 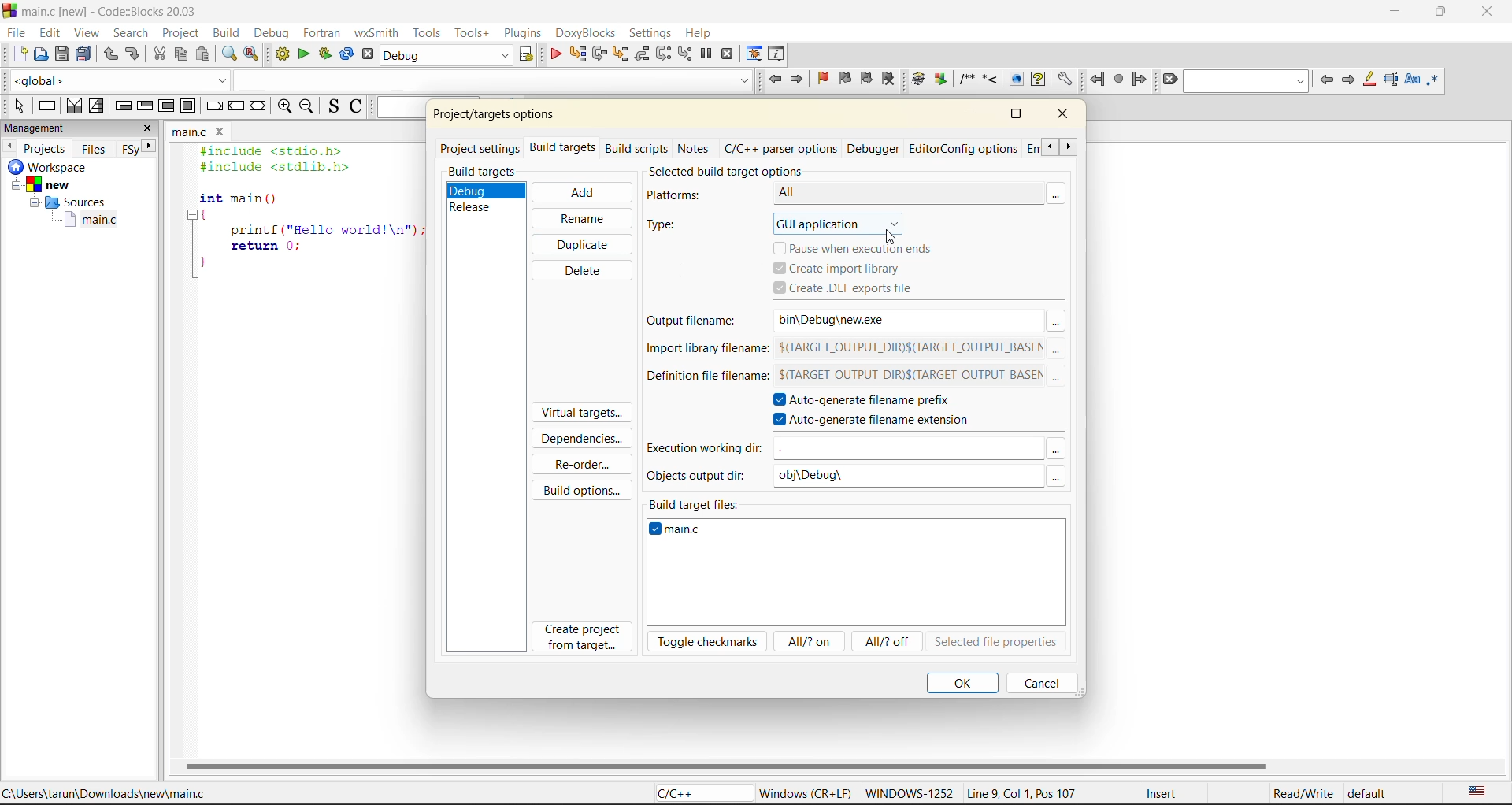 What do you see at coordinates (9, 146) in the screenshot?
I see `previous` at bounding box center [9, 146].